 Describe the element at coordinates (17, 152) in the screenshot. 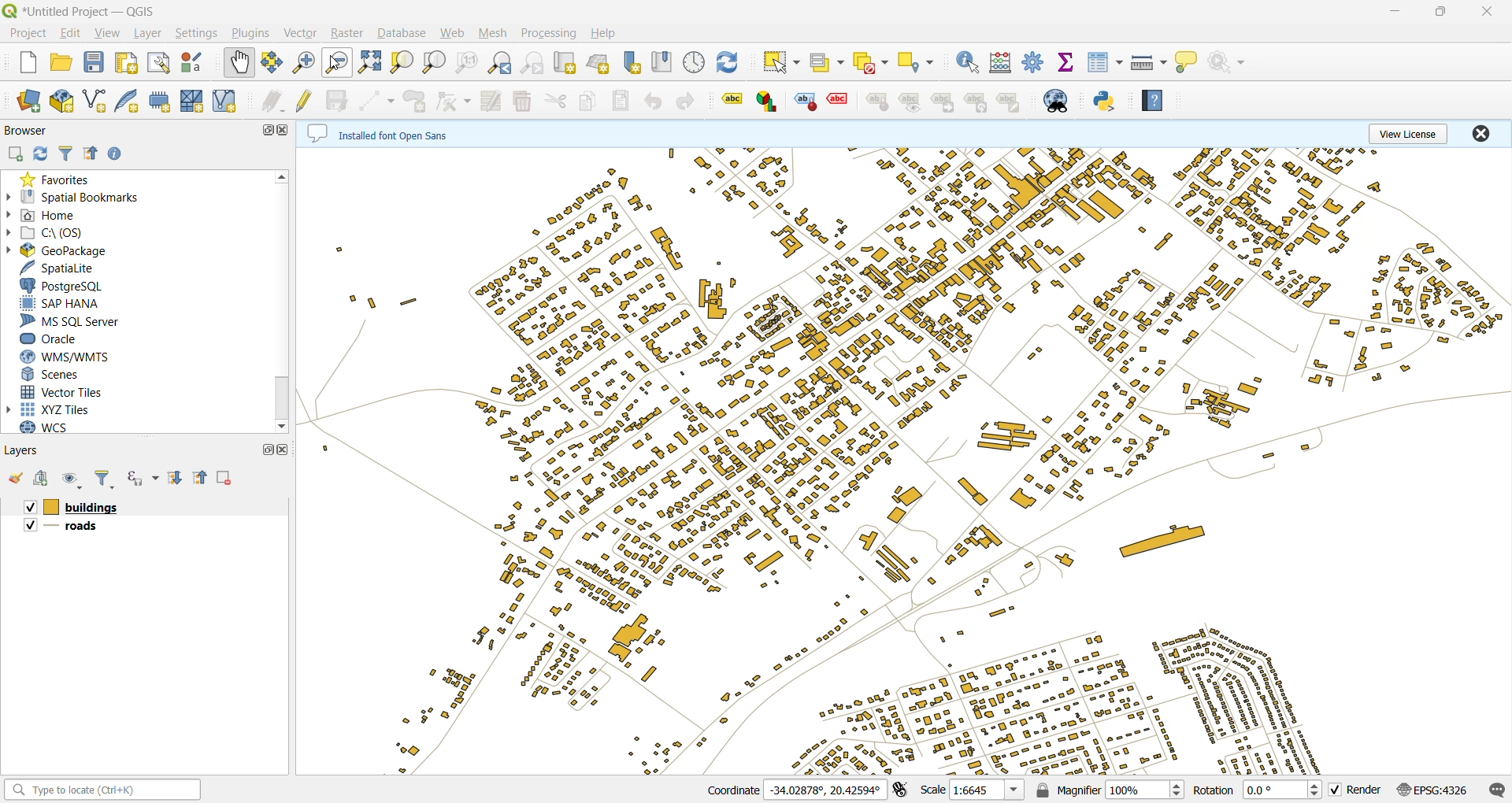

I see `add` at that location.